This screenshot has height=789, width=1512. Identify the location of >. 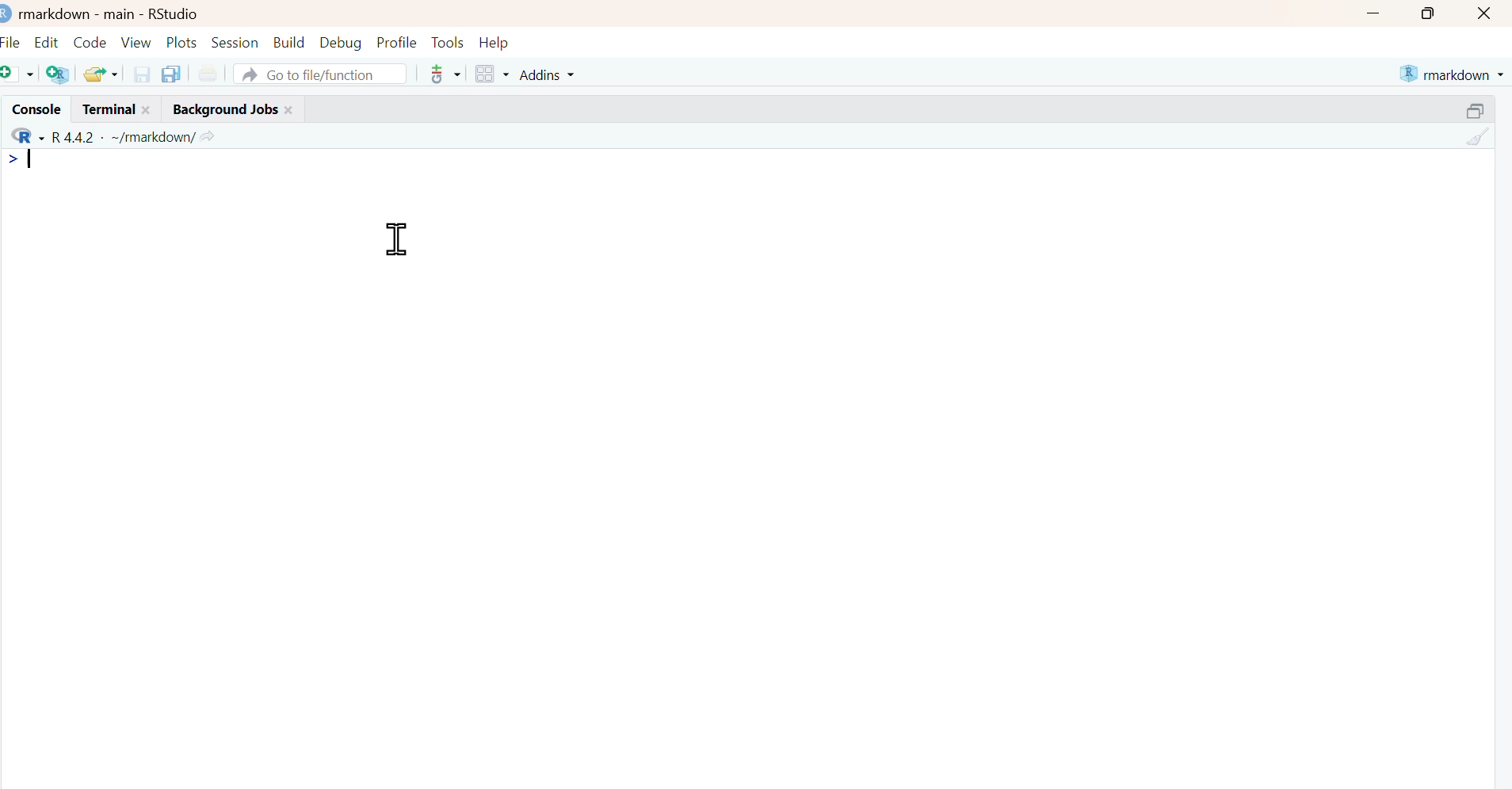
(12, 159).